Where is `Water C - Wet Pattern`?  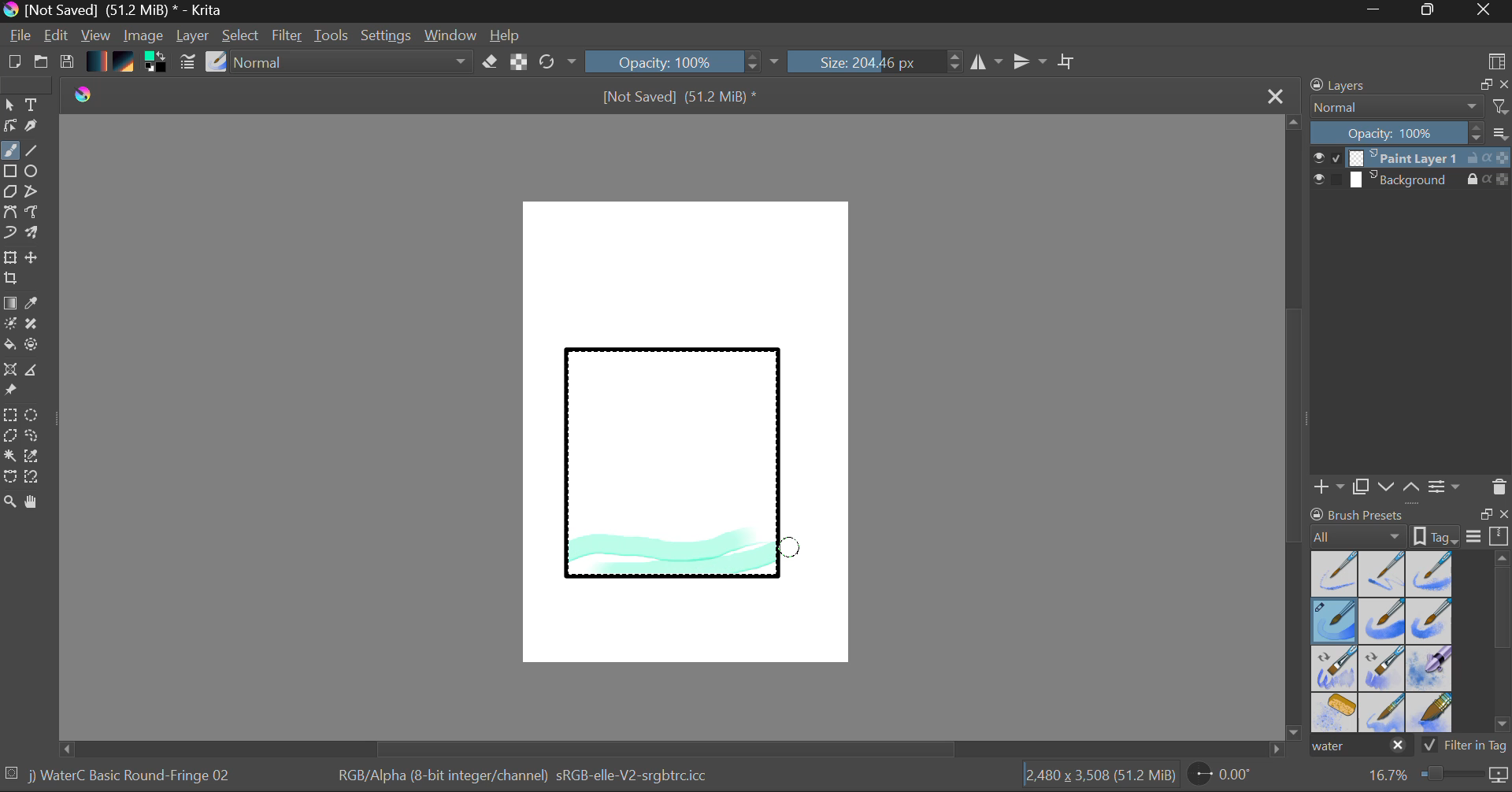
Water C - Wet Pattern is located at coordinates (1429, 574).